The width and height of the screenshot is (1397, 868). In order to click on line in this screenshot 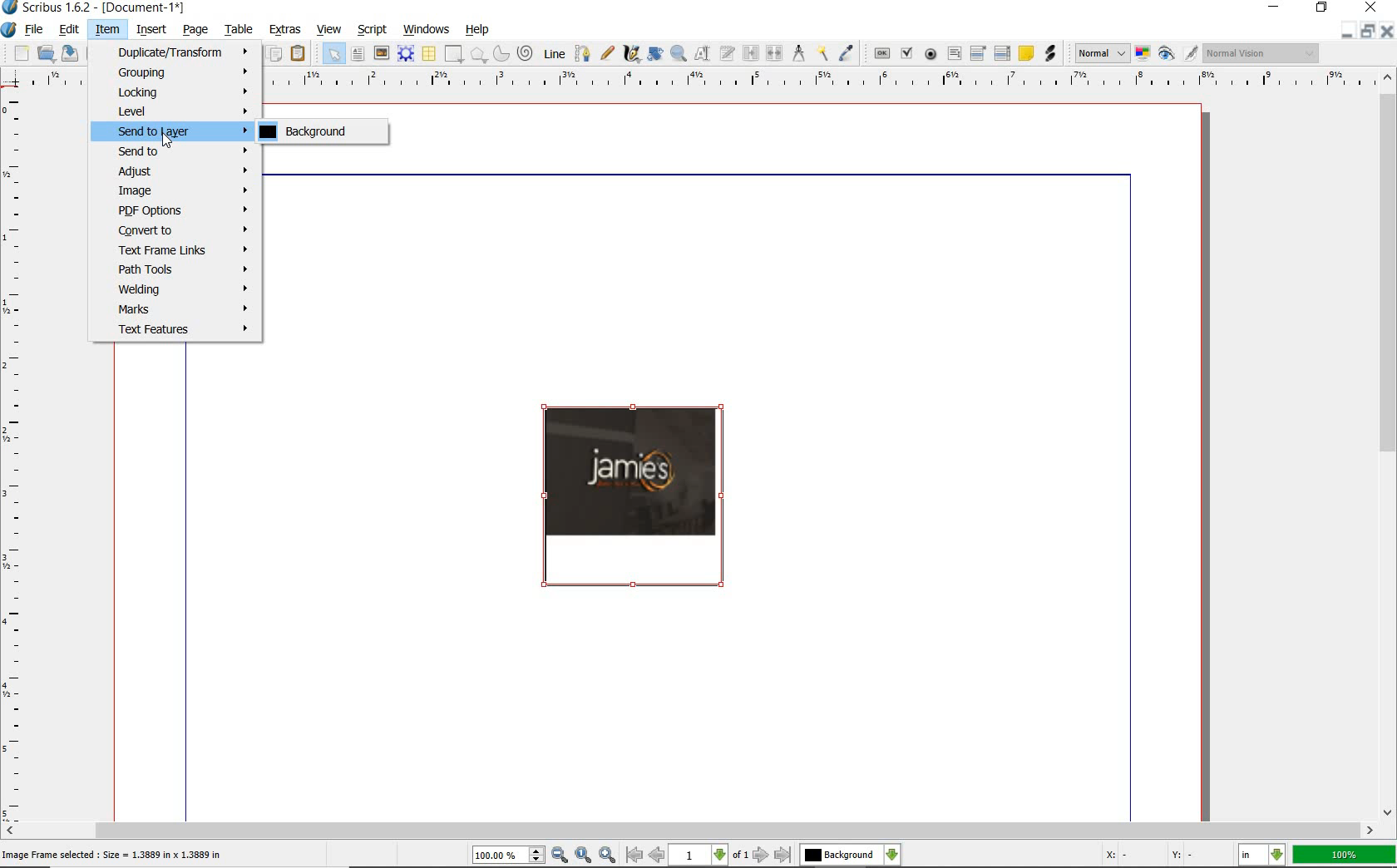, I will do `click(555, 52)`.